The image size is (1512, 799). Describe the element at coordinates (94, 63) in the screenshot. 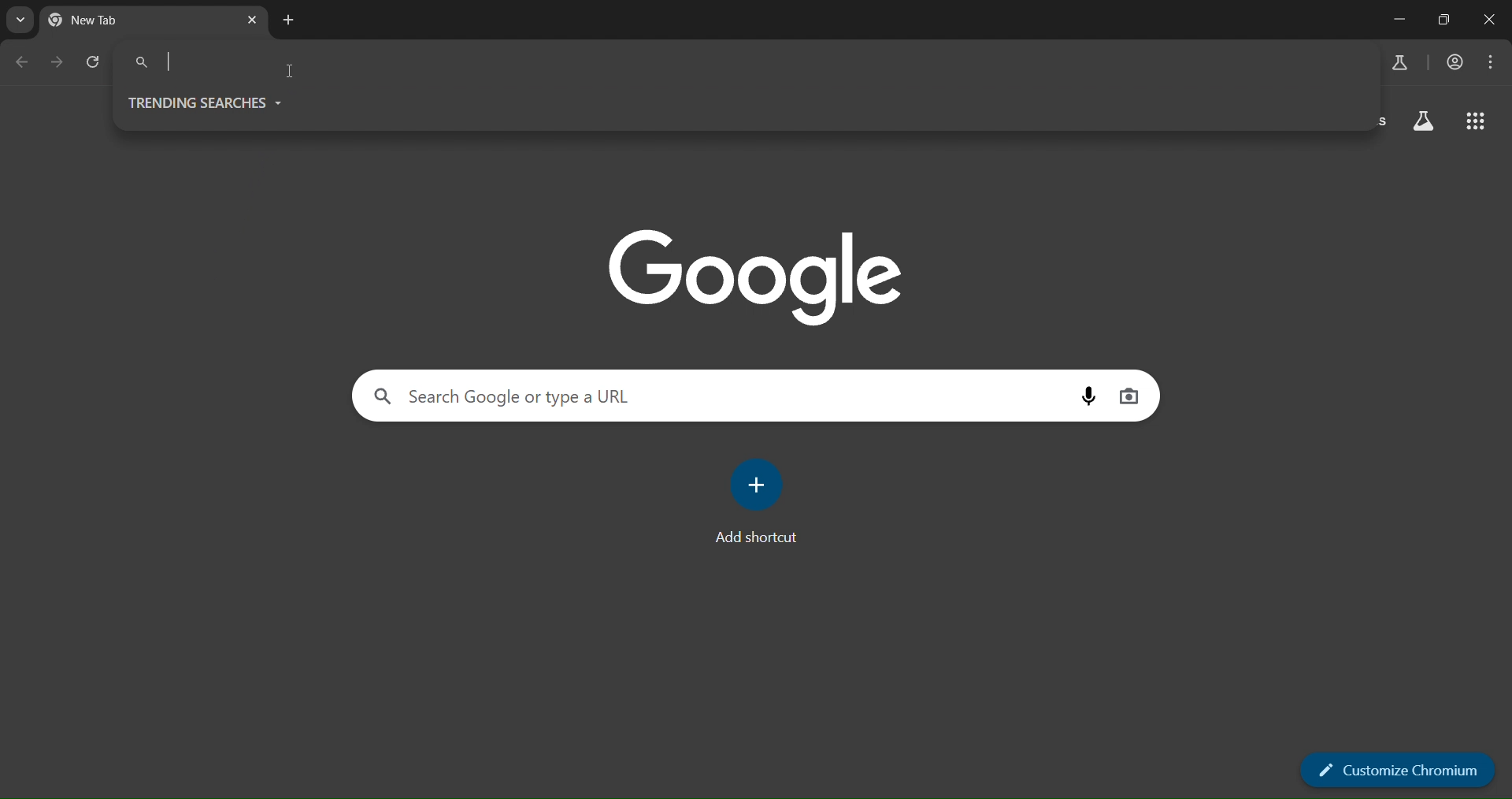

I see `reload page` at that location.